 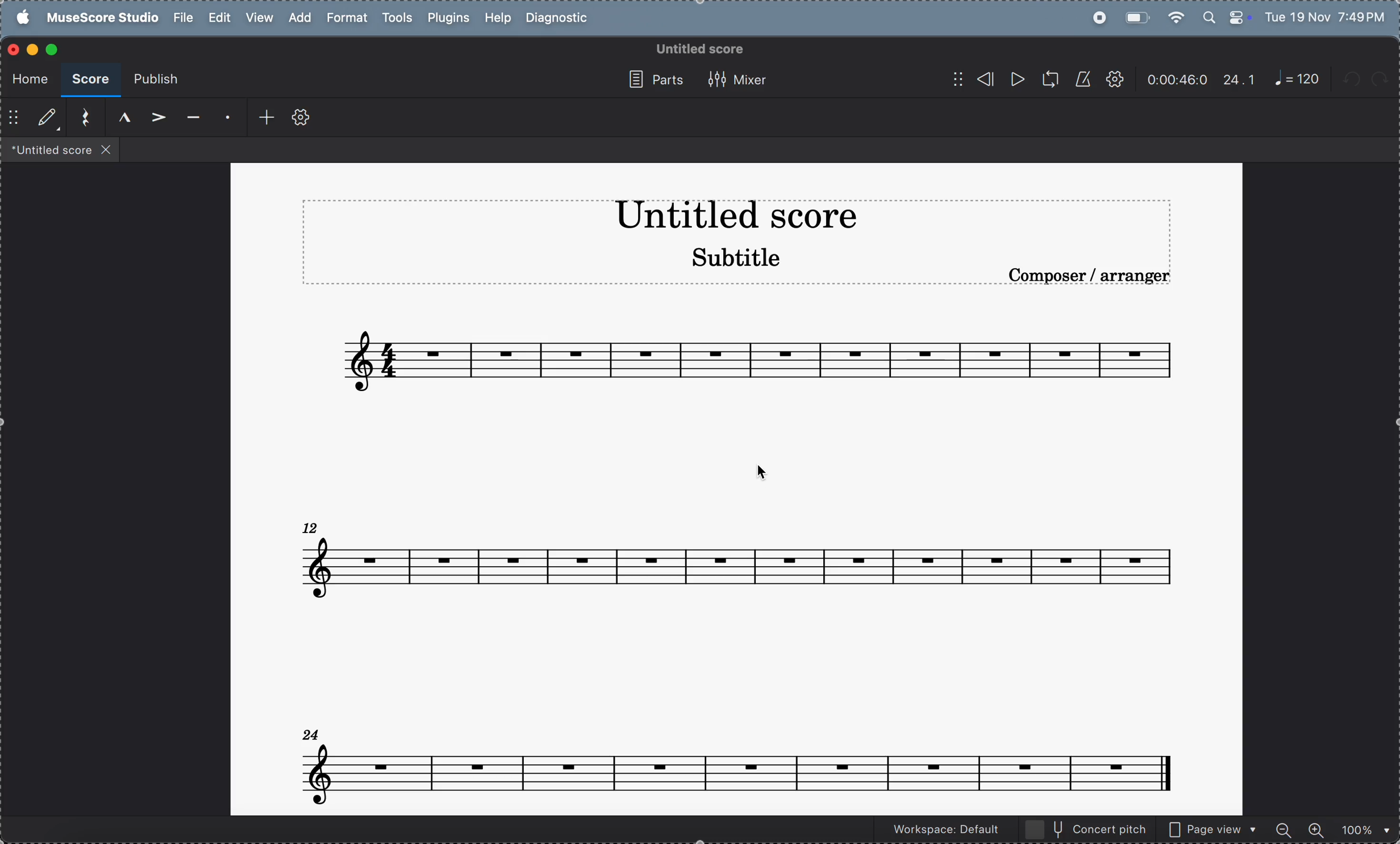 What do you see at coordinates (1239, 80) in the screenshot?
I see `24.1` at bounding box center [1239, 80].